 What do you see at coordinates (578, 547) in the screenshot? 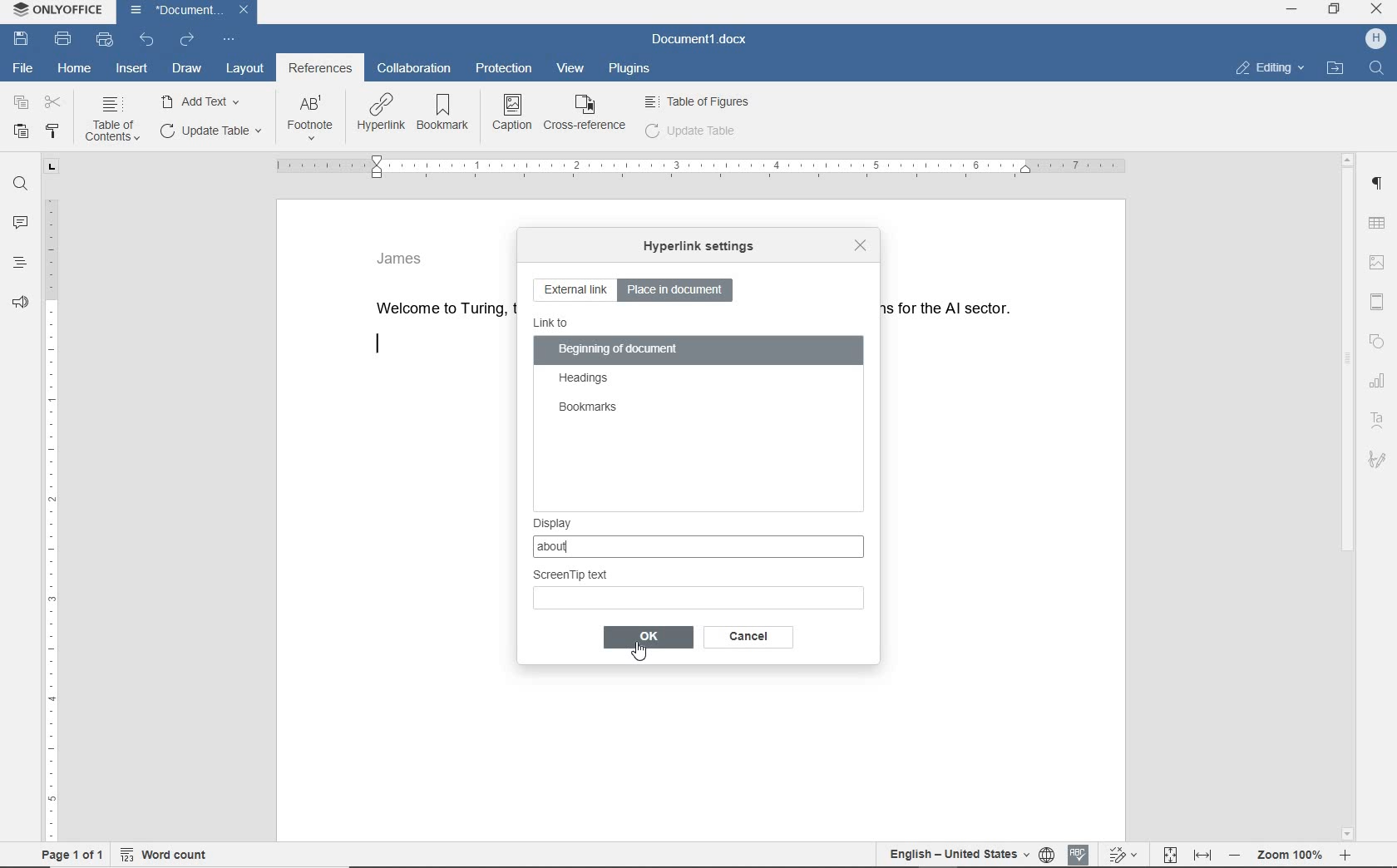
I see `about` at bounding box center [578, 547].